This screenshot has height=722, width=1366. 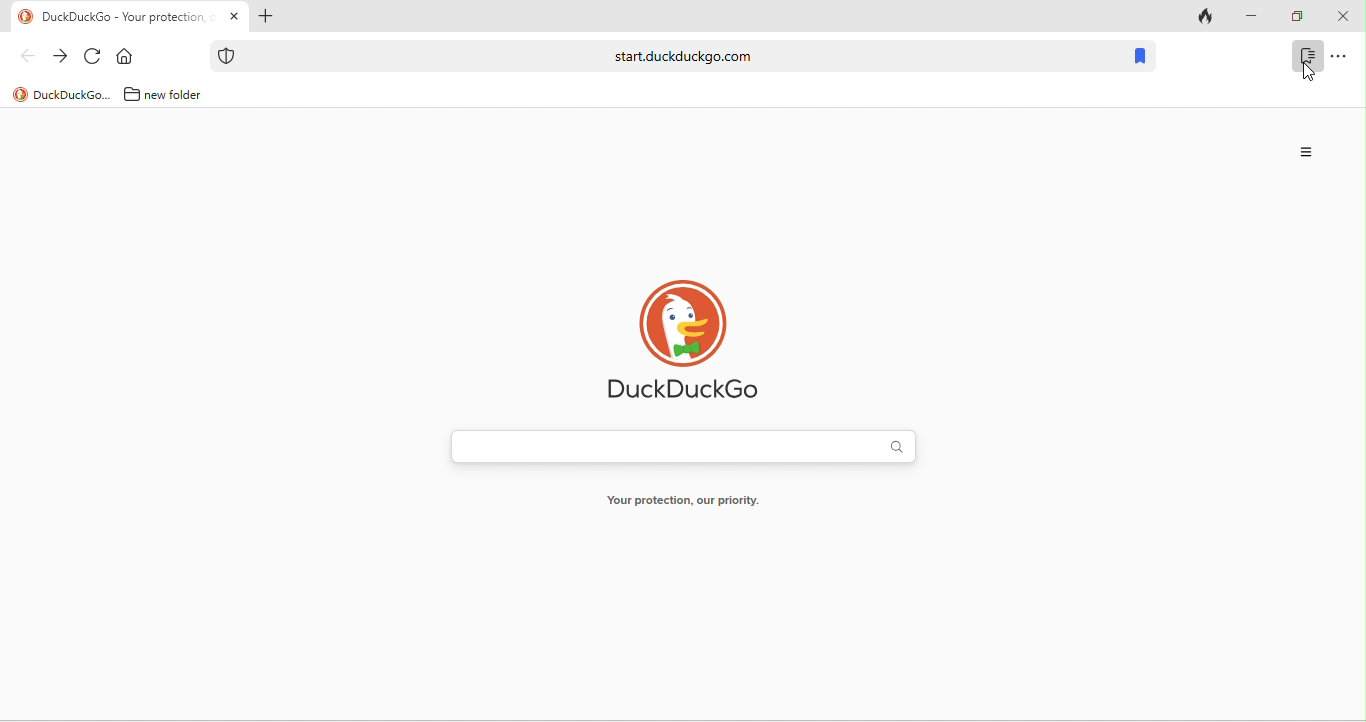 I want to click on your protection, our priority., so click(x=683, y=500).